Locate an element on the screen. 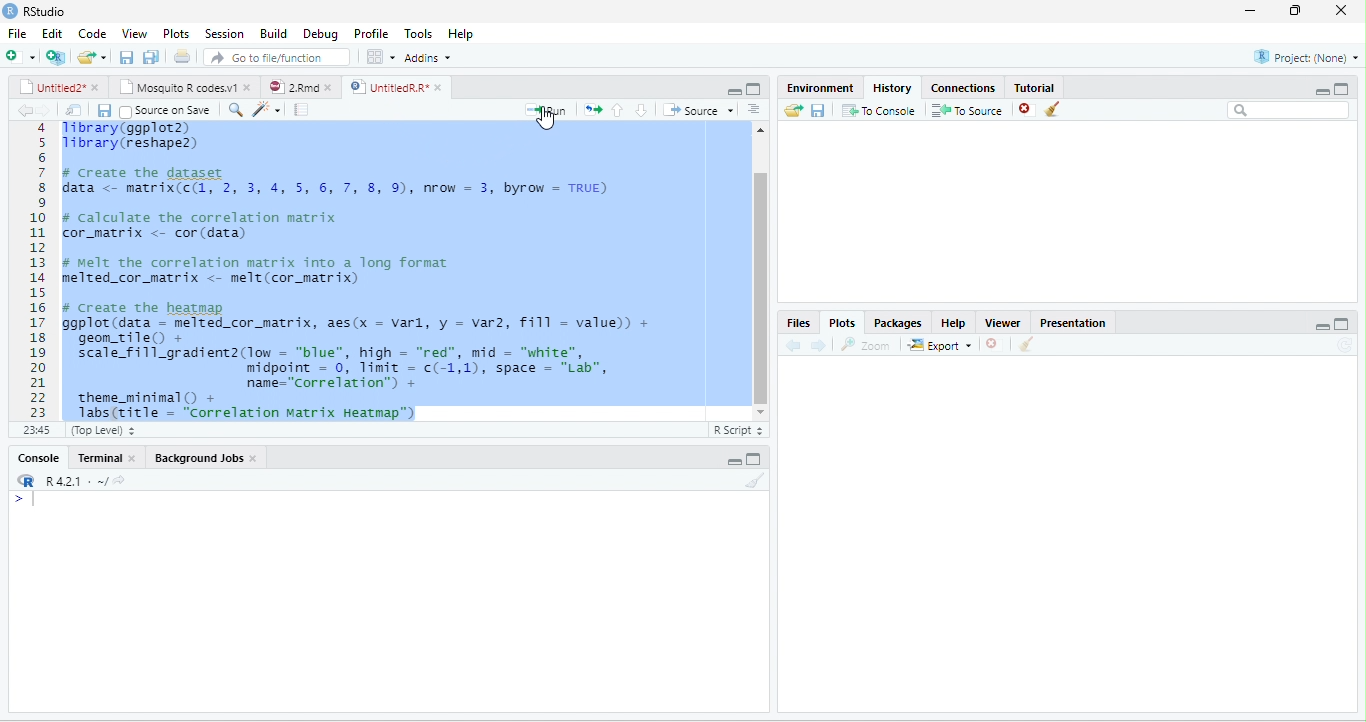  previous is located at coordinates (615, 108).